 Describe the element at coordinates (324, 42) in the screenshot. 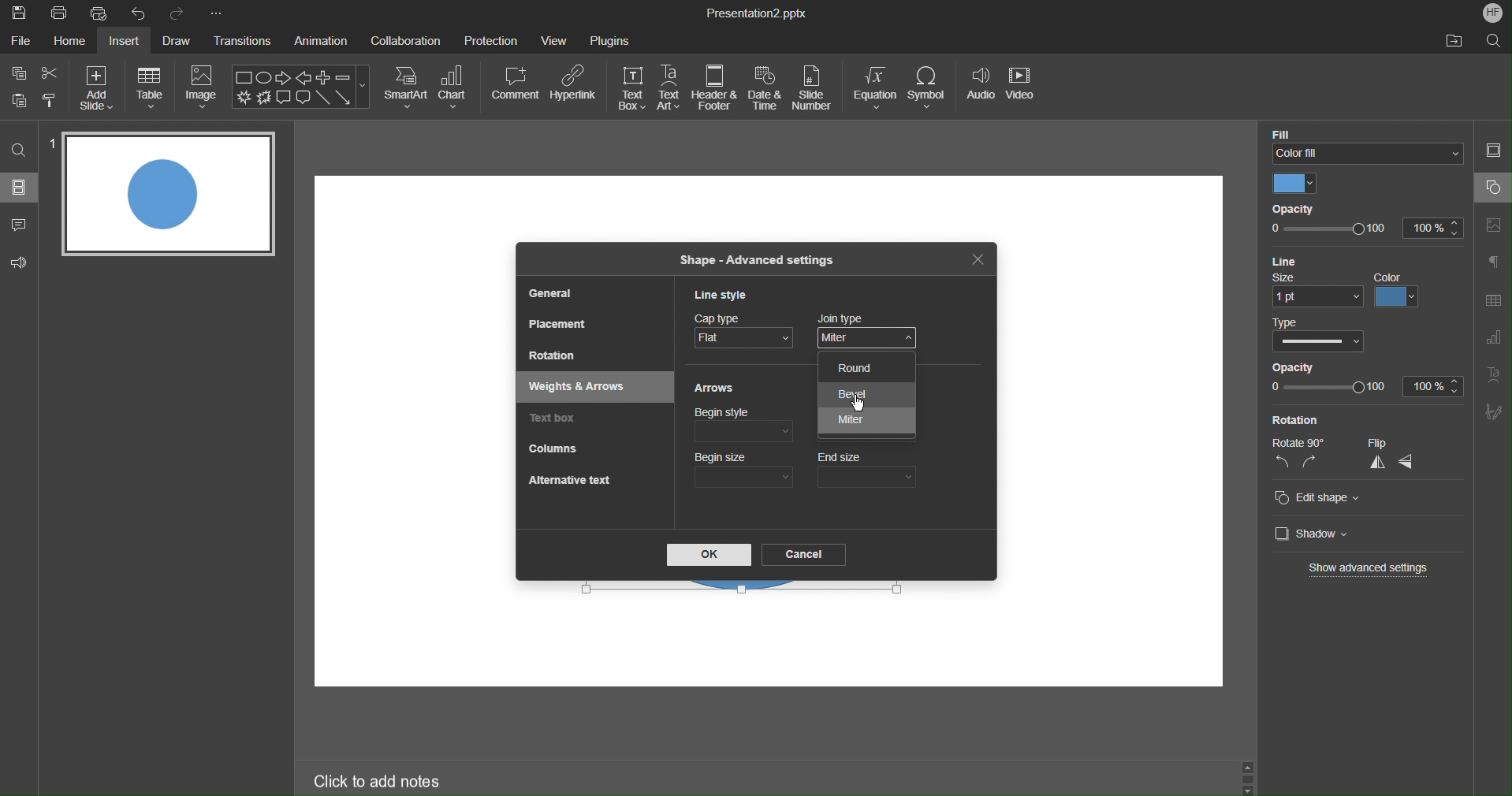

I see `Animation` at that location.